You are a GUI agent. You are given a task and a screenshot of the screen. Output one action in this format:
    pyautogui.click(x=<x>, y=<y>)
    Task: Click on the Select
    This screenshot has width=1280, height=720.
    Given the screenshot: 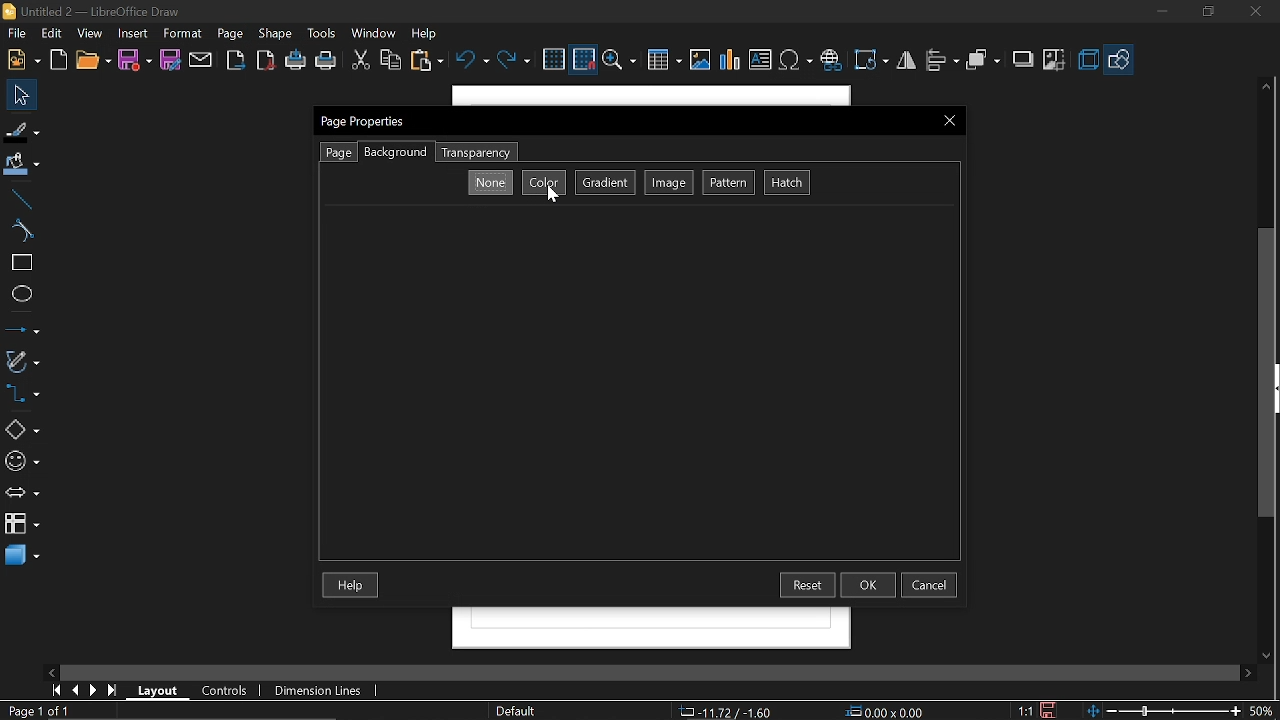 What is the action you would take?
    pyautogui.click(x=22, y=95)
    